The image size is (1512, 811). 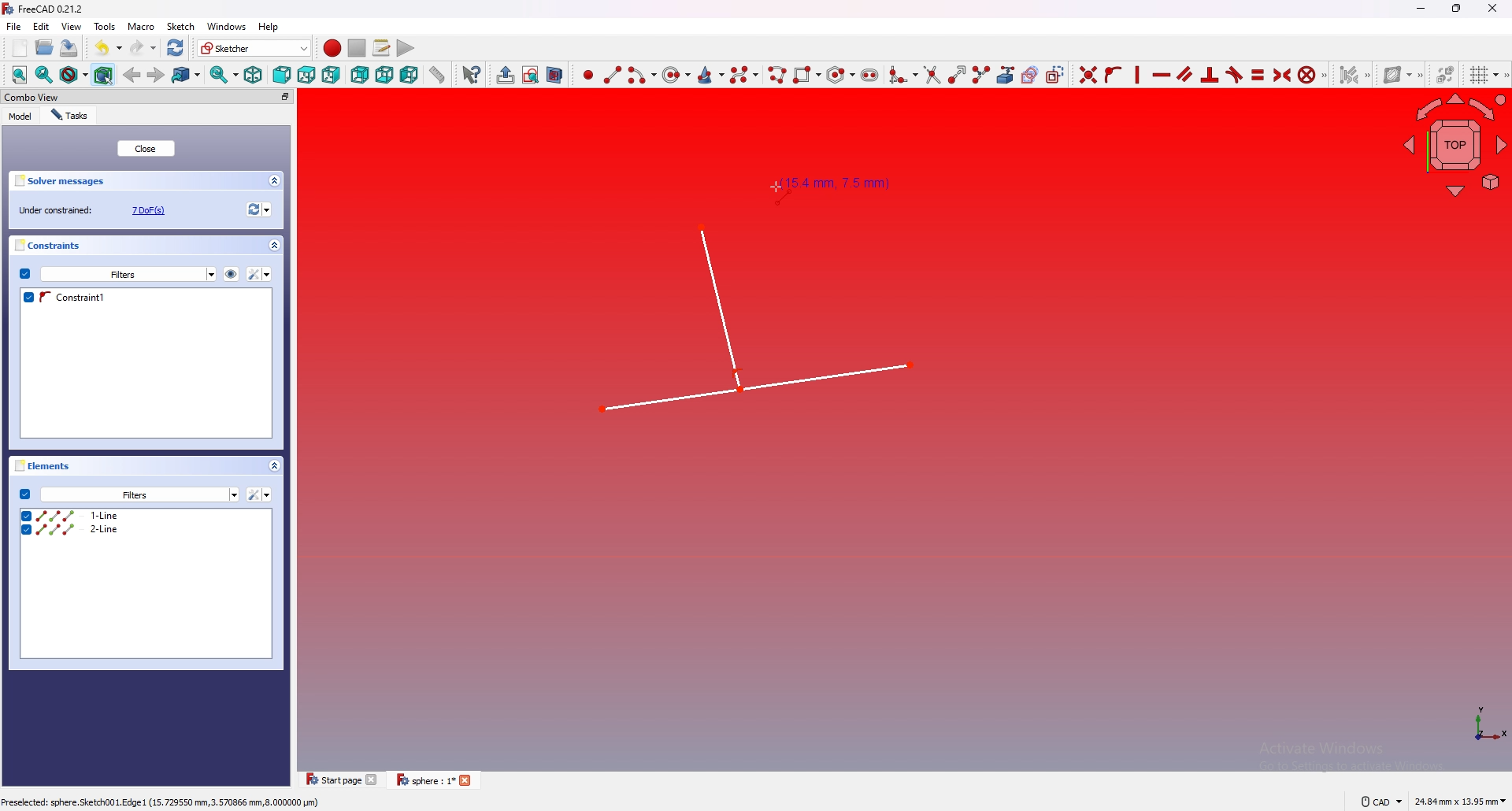 What do you see at coordinates (1085, 74) in the screenshot?
I see `Constrain coincident` at bounding box center [1085, 74].